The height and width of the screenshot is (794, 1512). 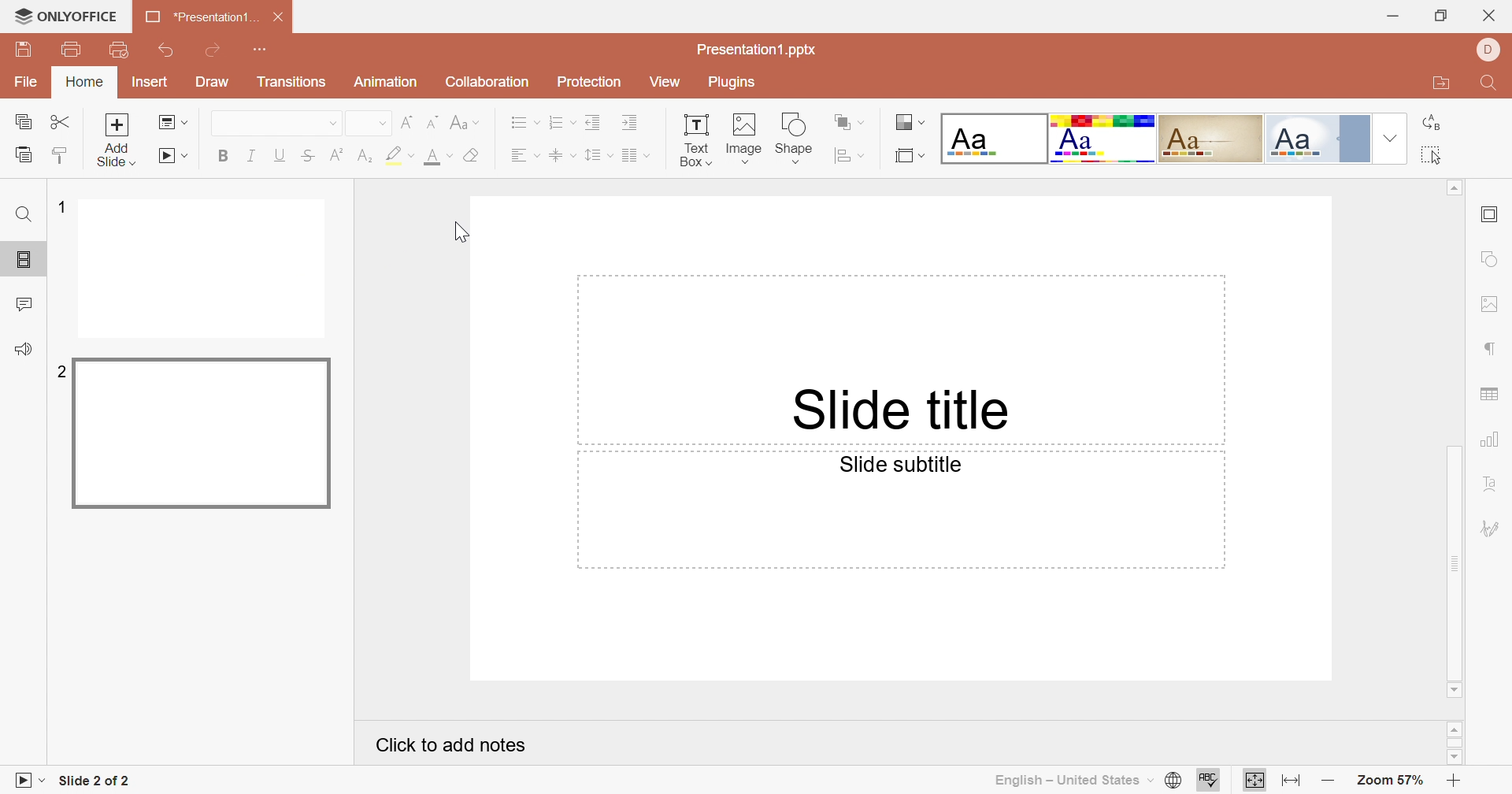 What do you see at coordinates (337, 156) in the screenshot?
I see `Superscript` at bounding box center [337, 156].